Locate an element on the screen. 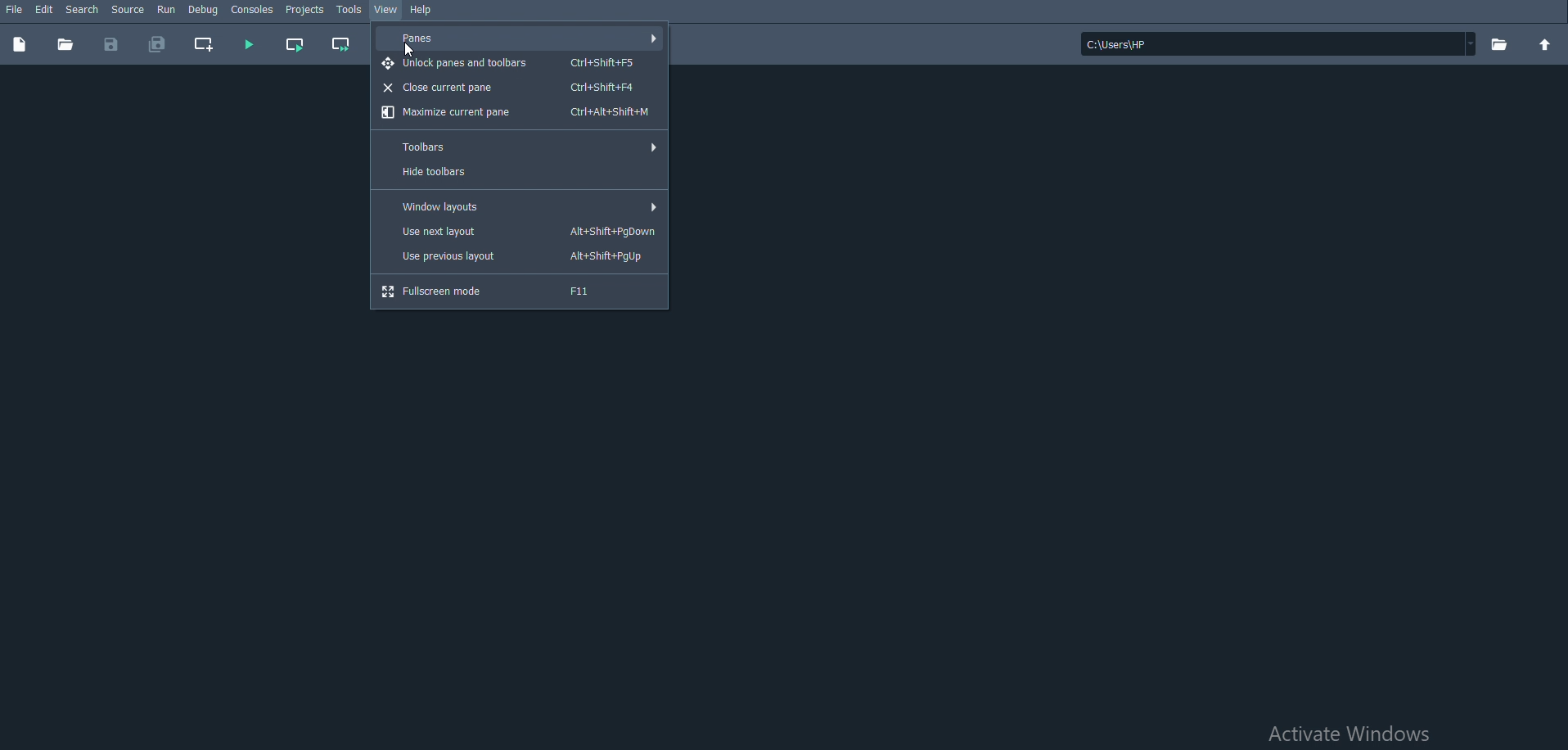  File location is located at coordinates (1277, 44).